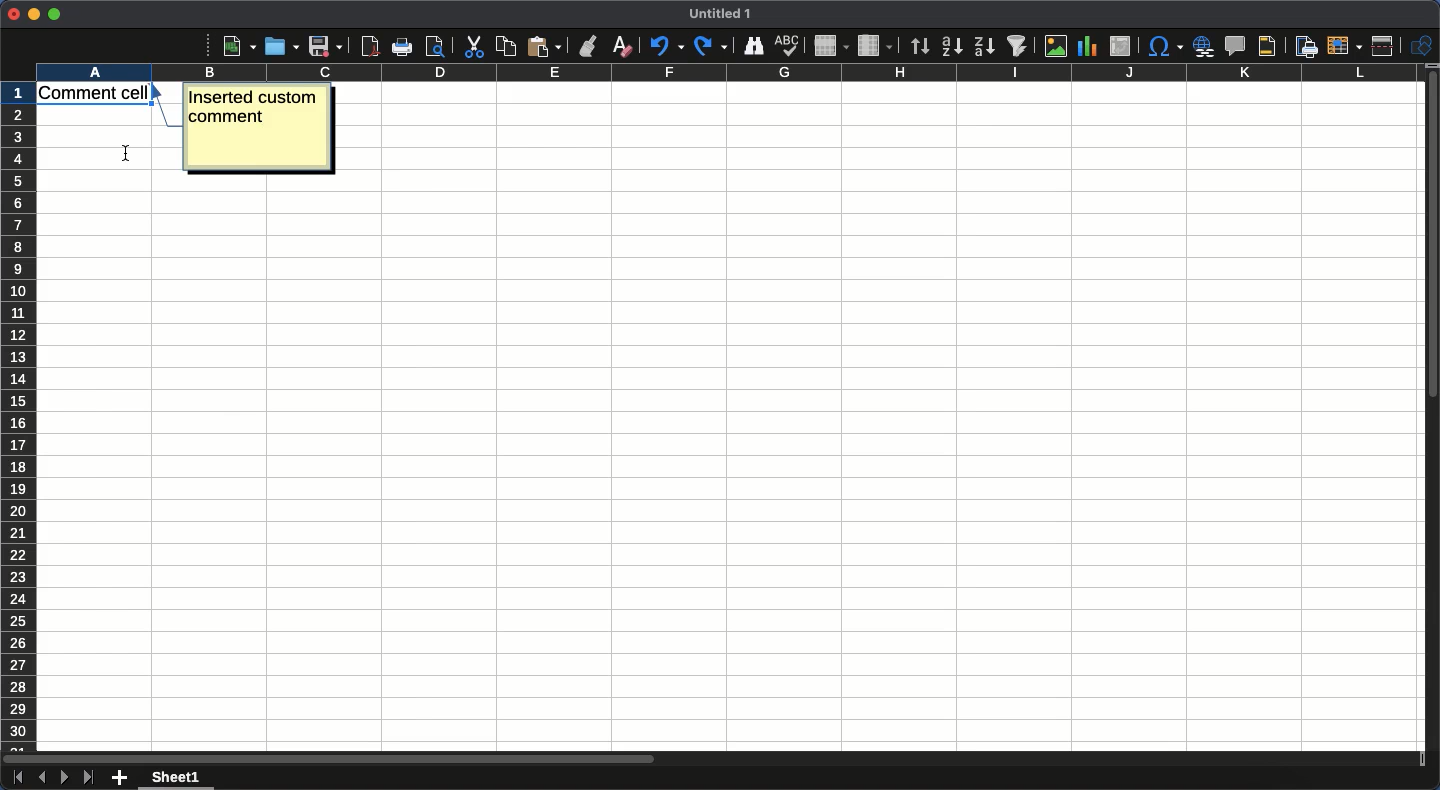  Describe the element at coordinates (1344, 45) in the screenshot. I see `Freeze rows and columns` at that location.